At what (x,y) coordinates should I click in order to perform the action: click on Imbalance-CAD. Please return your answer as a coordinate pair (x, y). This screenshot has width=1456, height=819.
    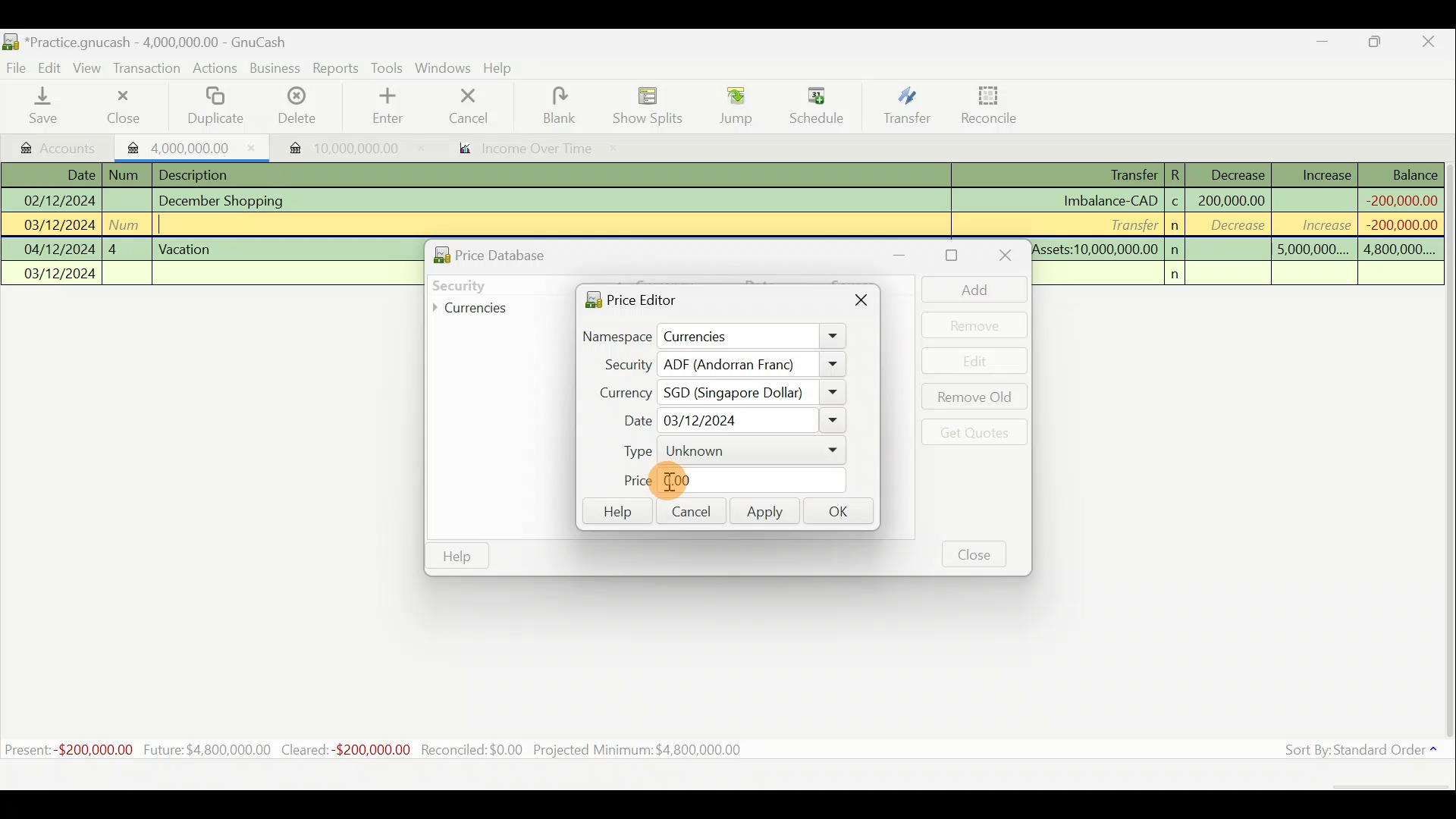
    Looking at the image, I should click on (1109, 200).